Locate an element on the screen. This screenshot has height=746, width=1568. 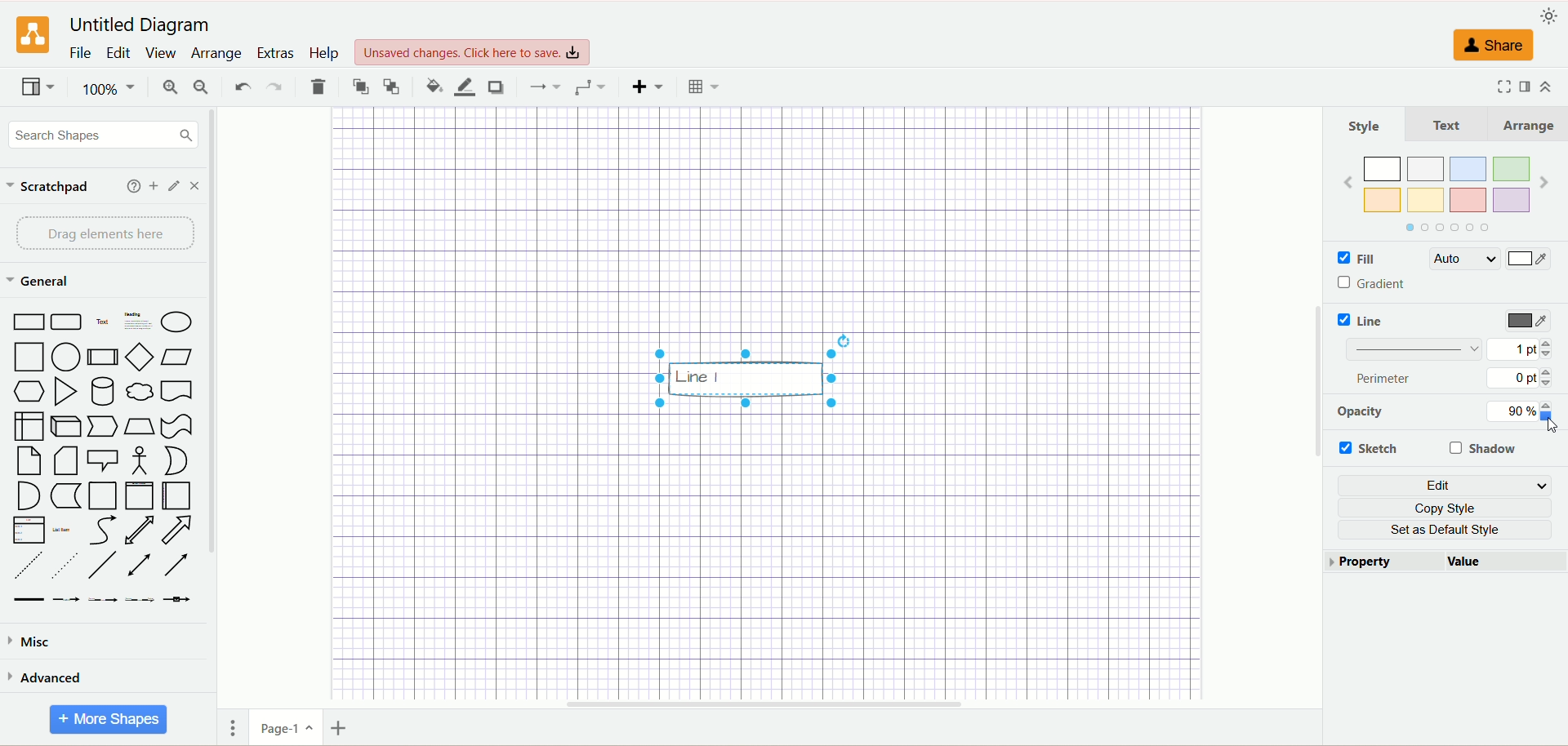
horizontal scroll bar is located at coordinates (757, 705).